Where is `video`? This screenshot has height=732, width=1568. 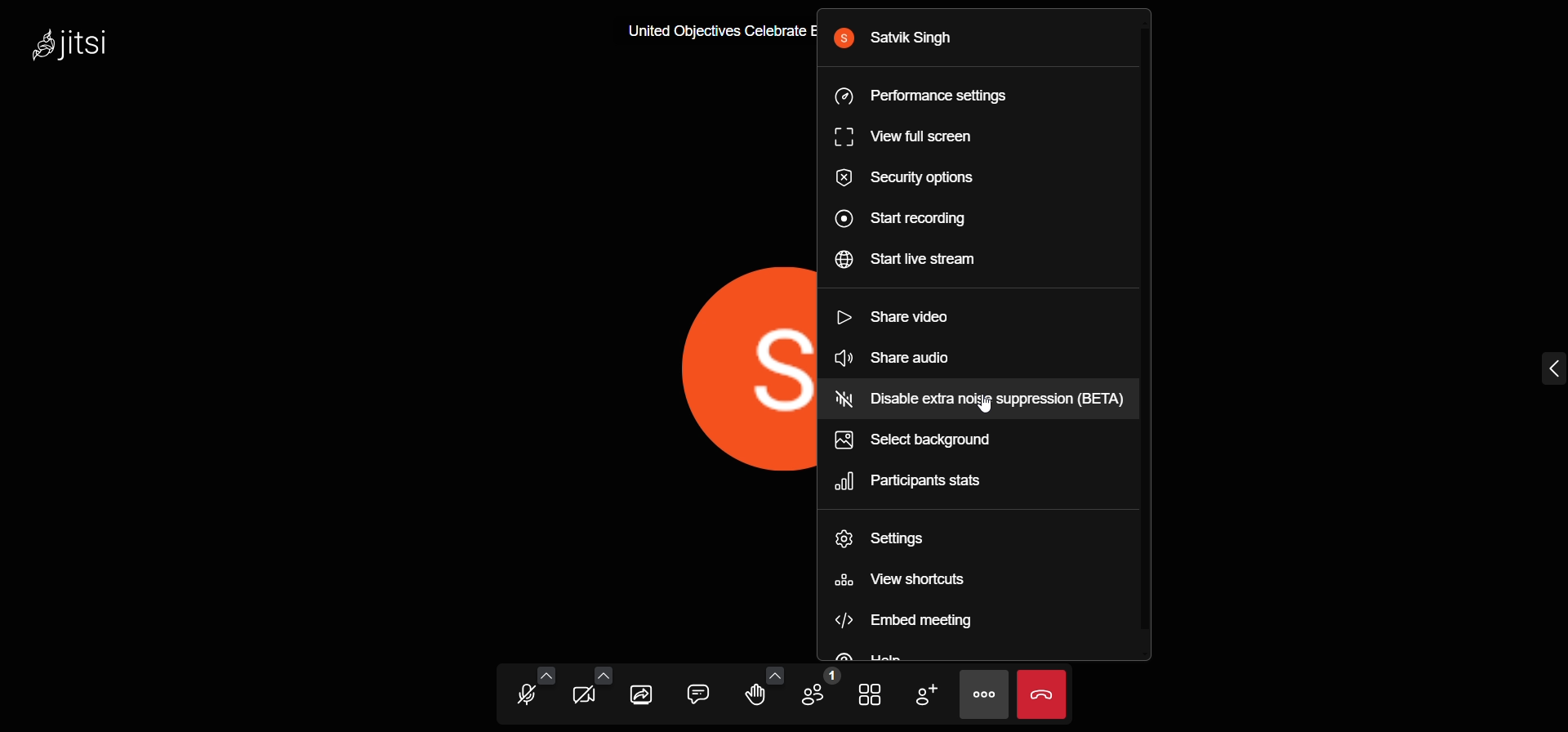
video is located at coordinates (583, 699).